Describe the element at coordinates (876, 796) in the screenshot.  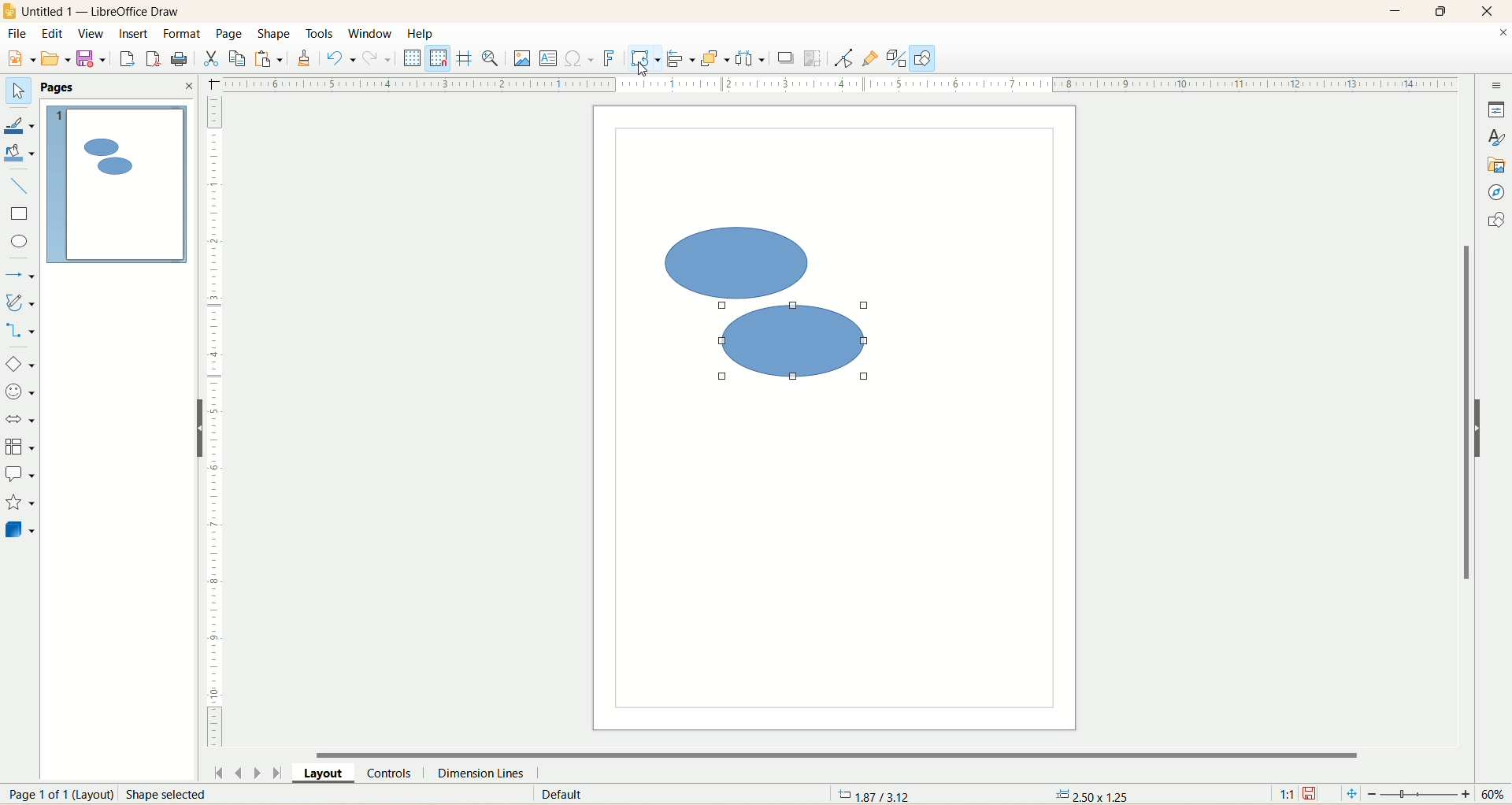
I see `coordinates` at that location.